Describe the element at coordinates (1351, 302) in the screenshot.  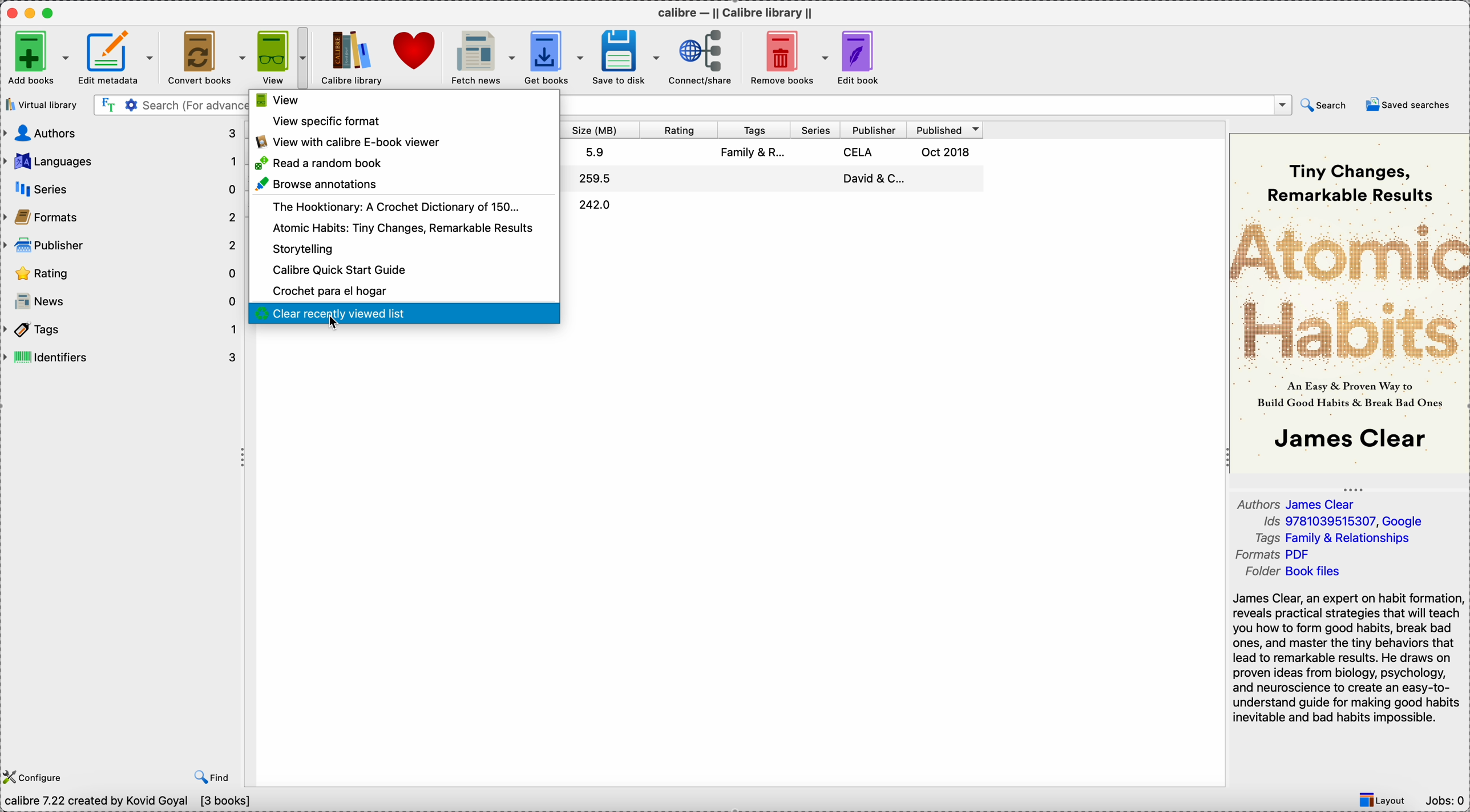
I see `book cover preview` at that location.